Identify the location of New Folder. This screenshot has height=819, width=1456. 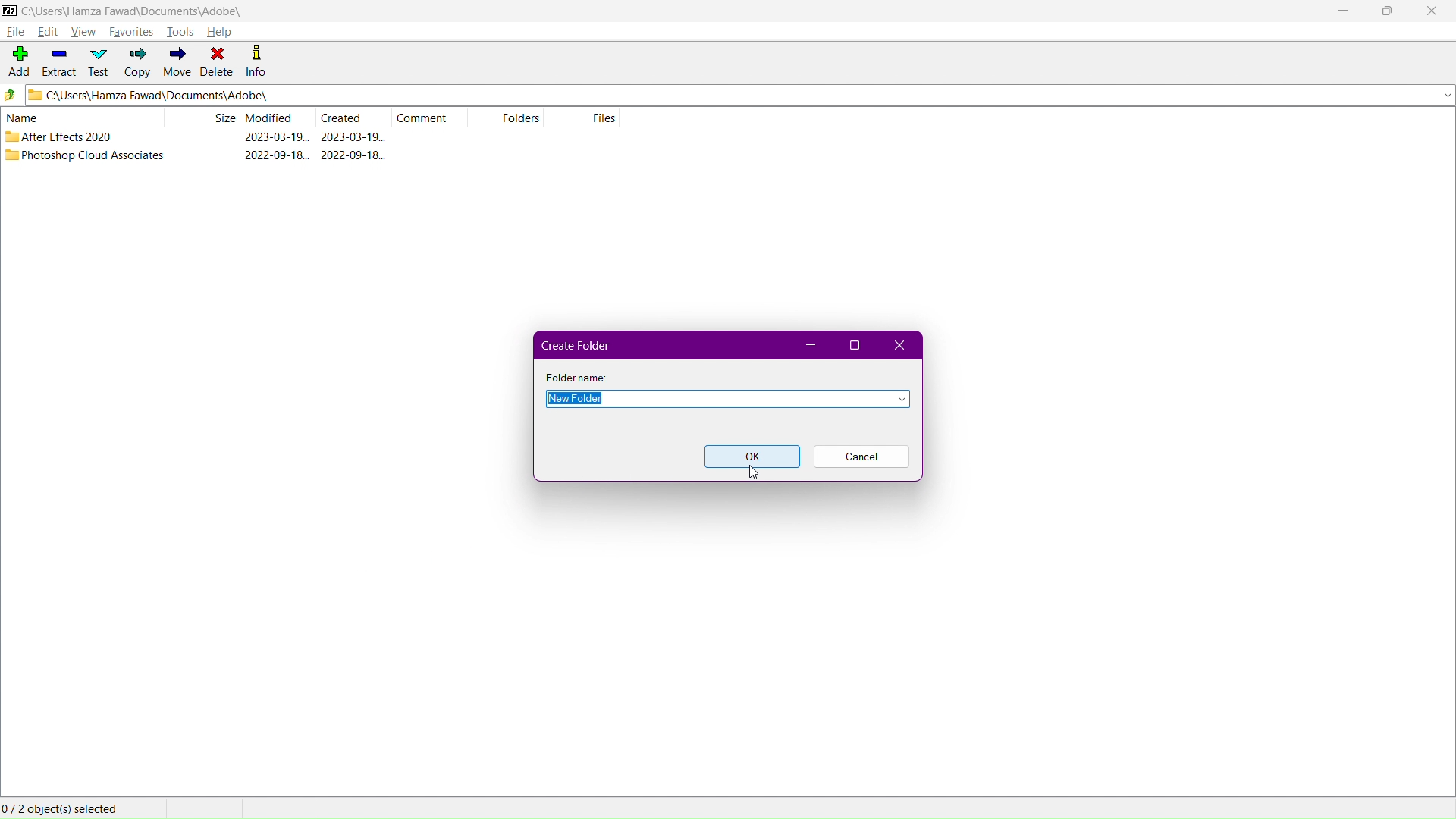
(727, 398).